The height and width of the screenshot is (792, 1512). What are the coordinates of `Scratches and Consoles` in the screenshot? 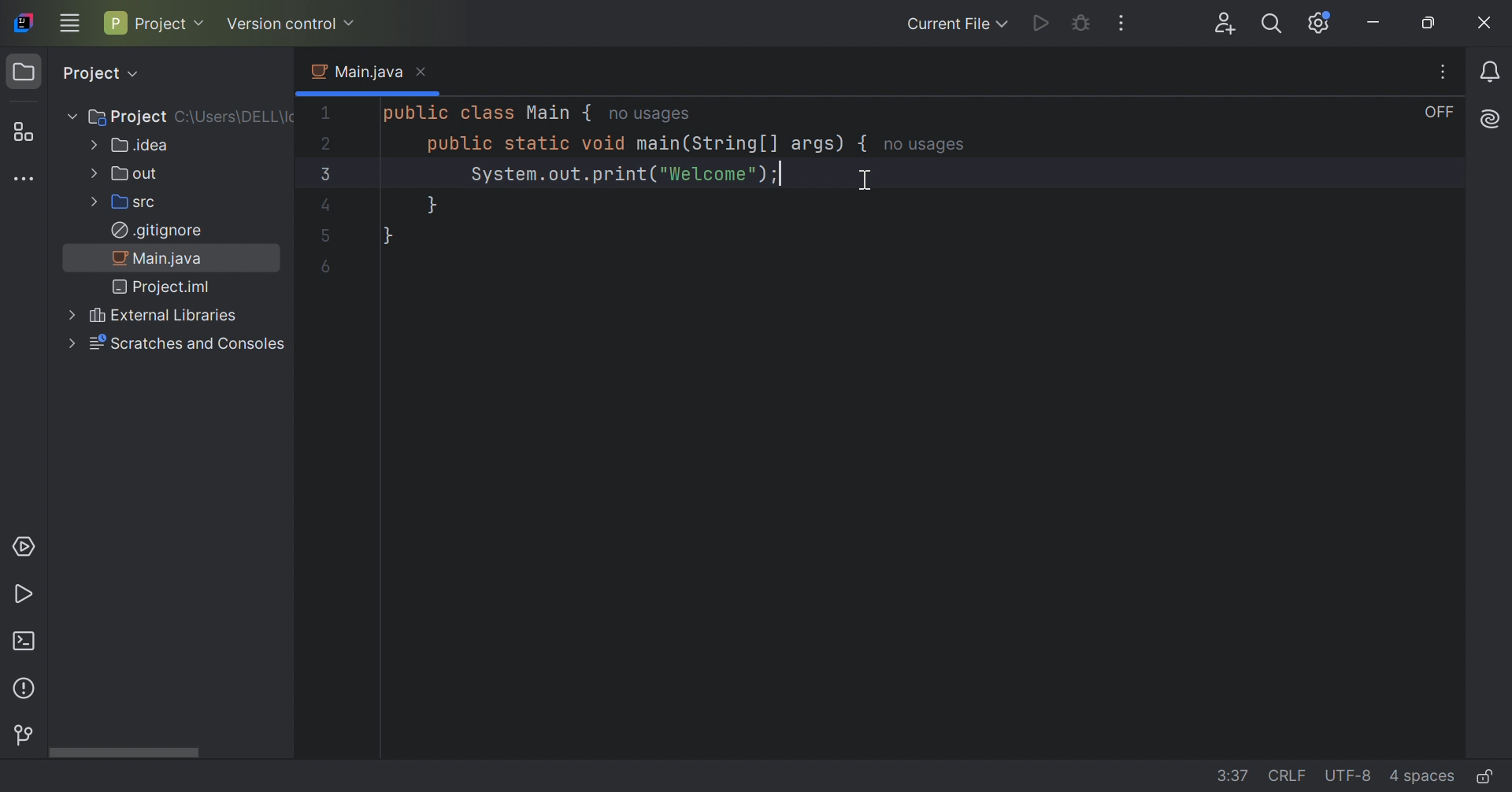 It's located at (174, 343).